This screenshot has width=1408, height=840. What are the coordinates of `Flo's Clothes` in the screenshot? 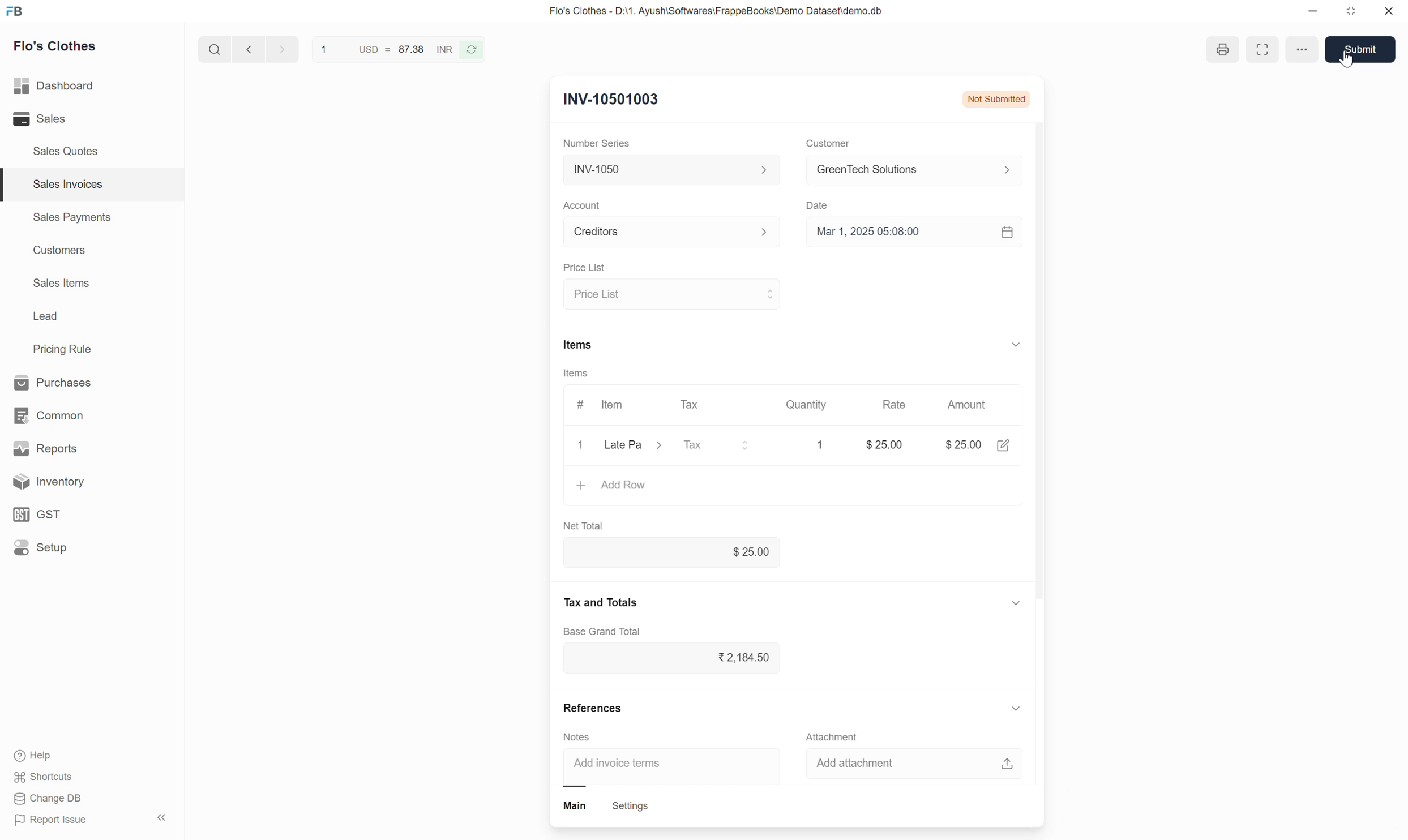 It's located at (61, 48).